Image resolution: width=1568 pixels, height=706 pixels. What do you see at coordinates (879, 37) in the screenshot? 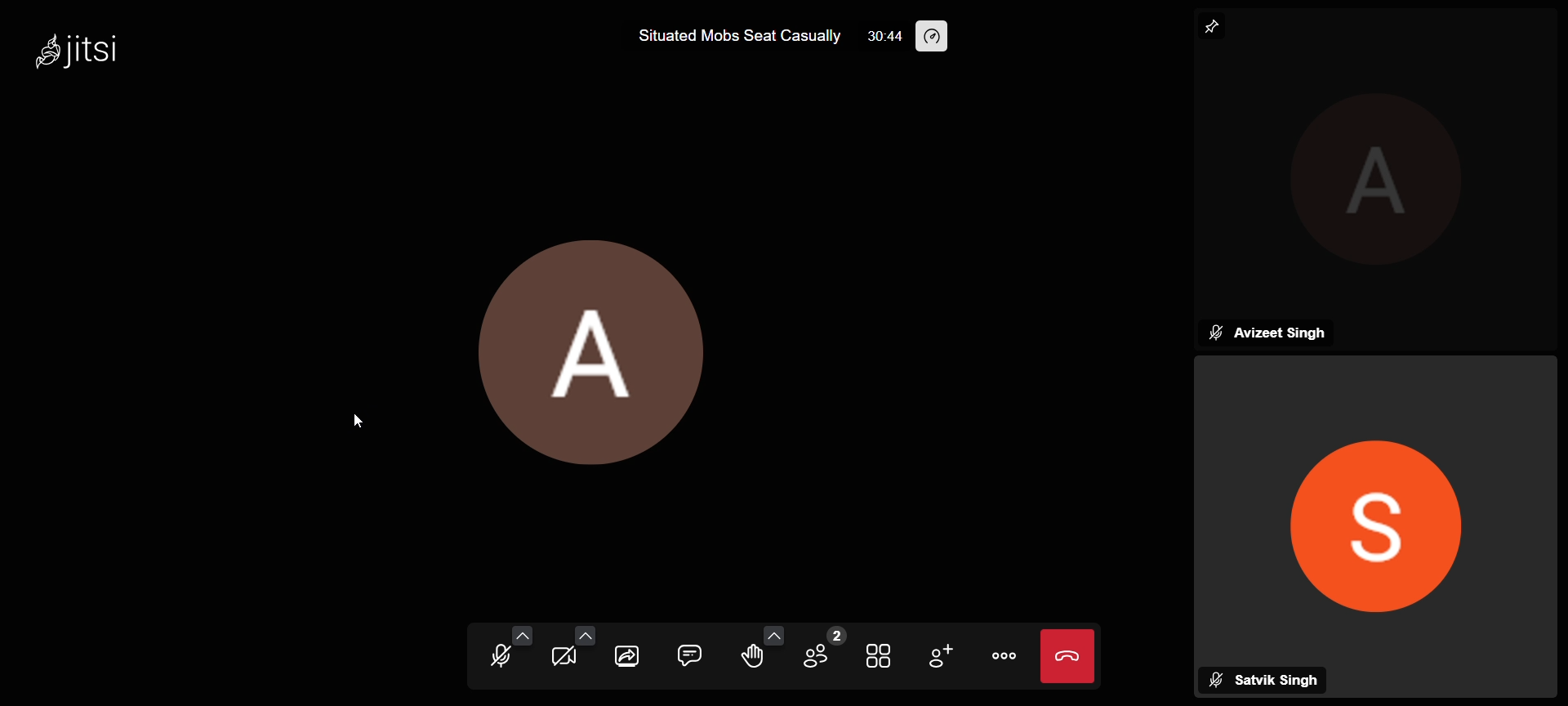
I see `30:44` at bounding box center [879, 37].